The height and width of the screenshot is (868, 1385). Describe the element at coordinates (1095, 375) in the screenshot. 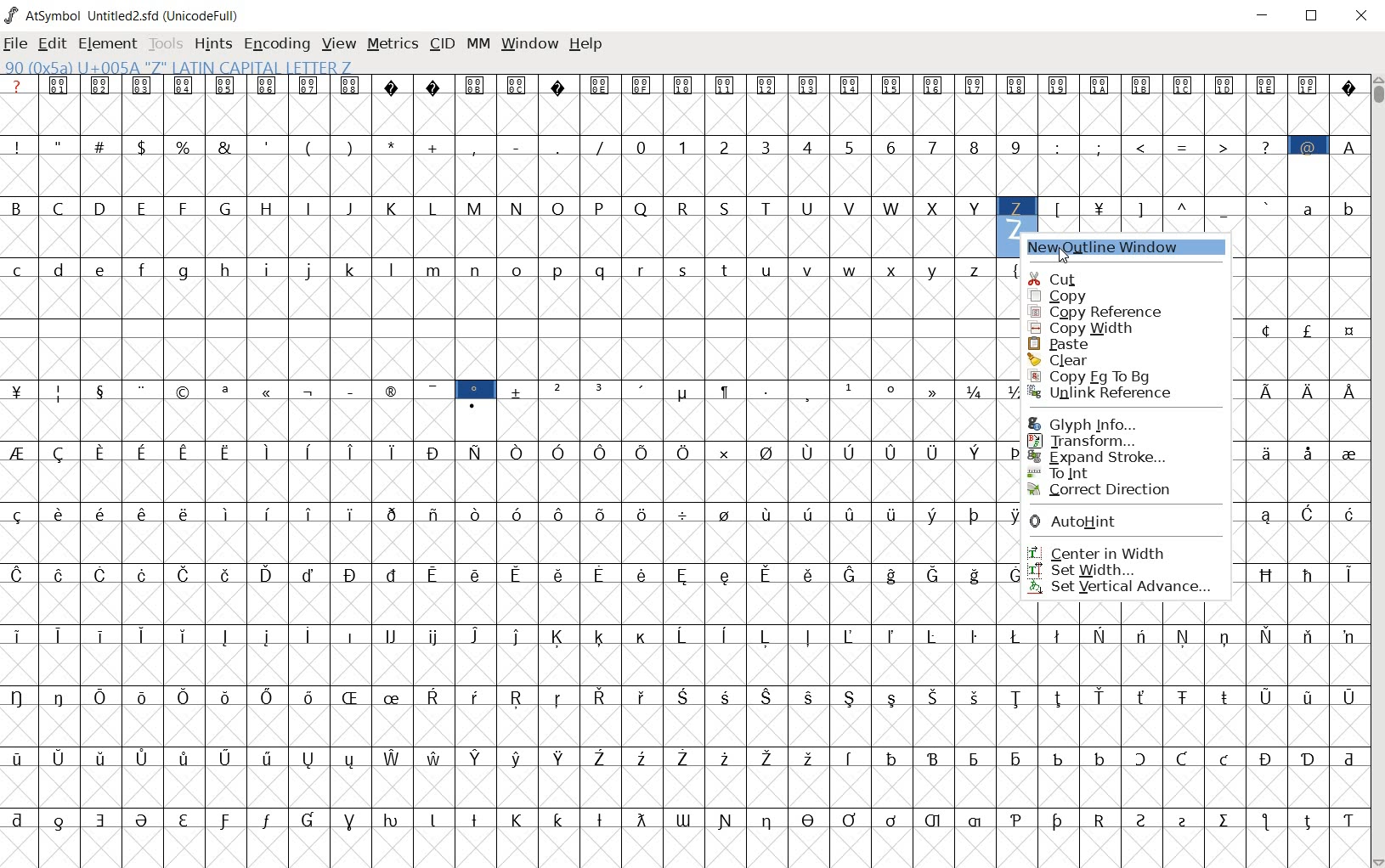

I see `Copy Fg to Bg` at that location.